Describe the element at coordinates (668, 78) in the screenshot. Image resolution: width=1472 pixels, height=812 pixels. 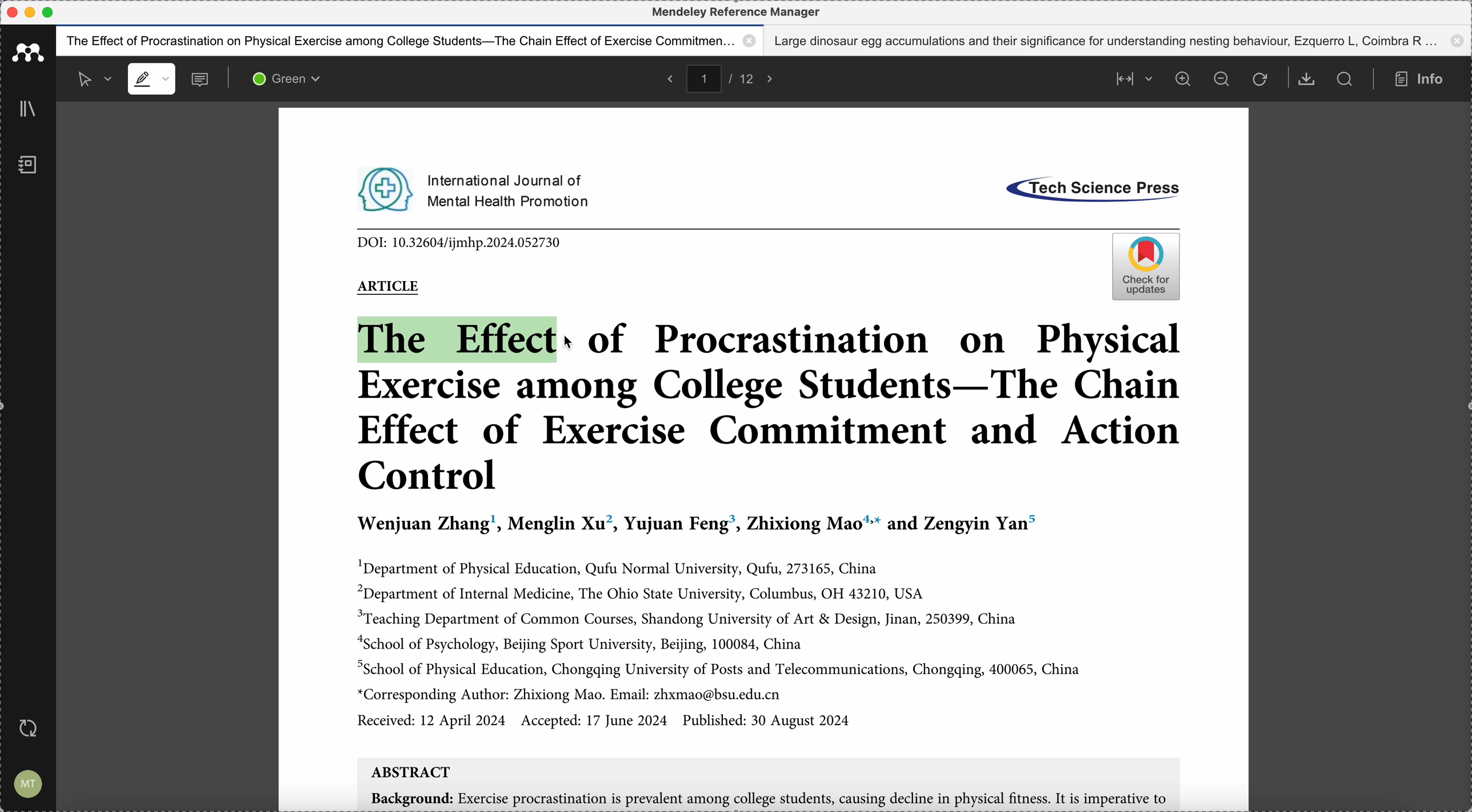
I see `back` at that location.